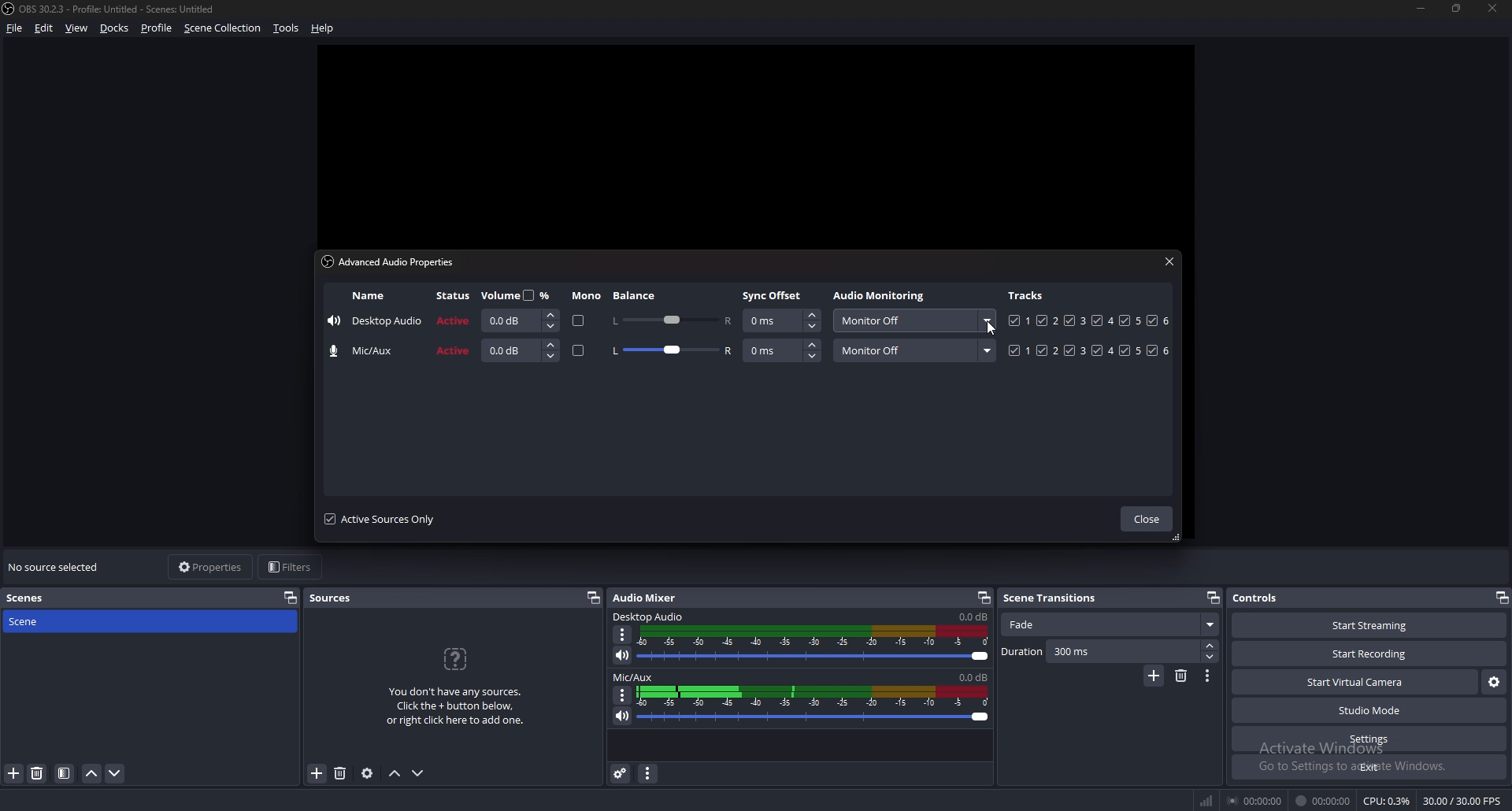 The width and height of the screenshot is (1512, 811). I want to click on delete source, so click(342, 772).